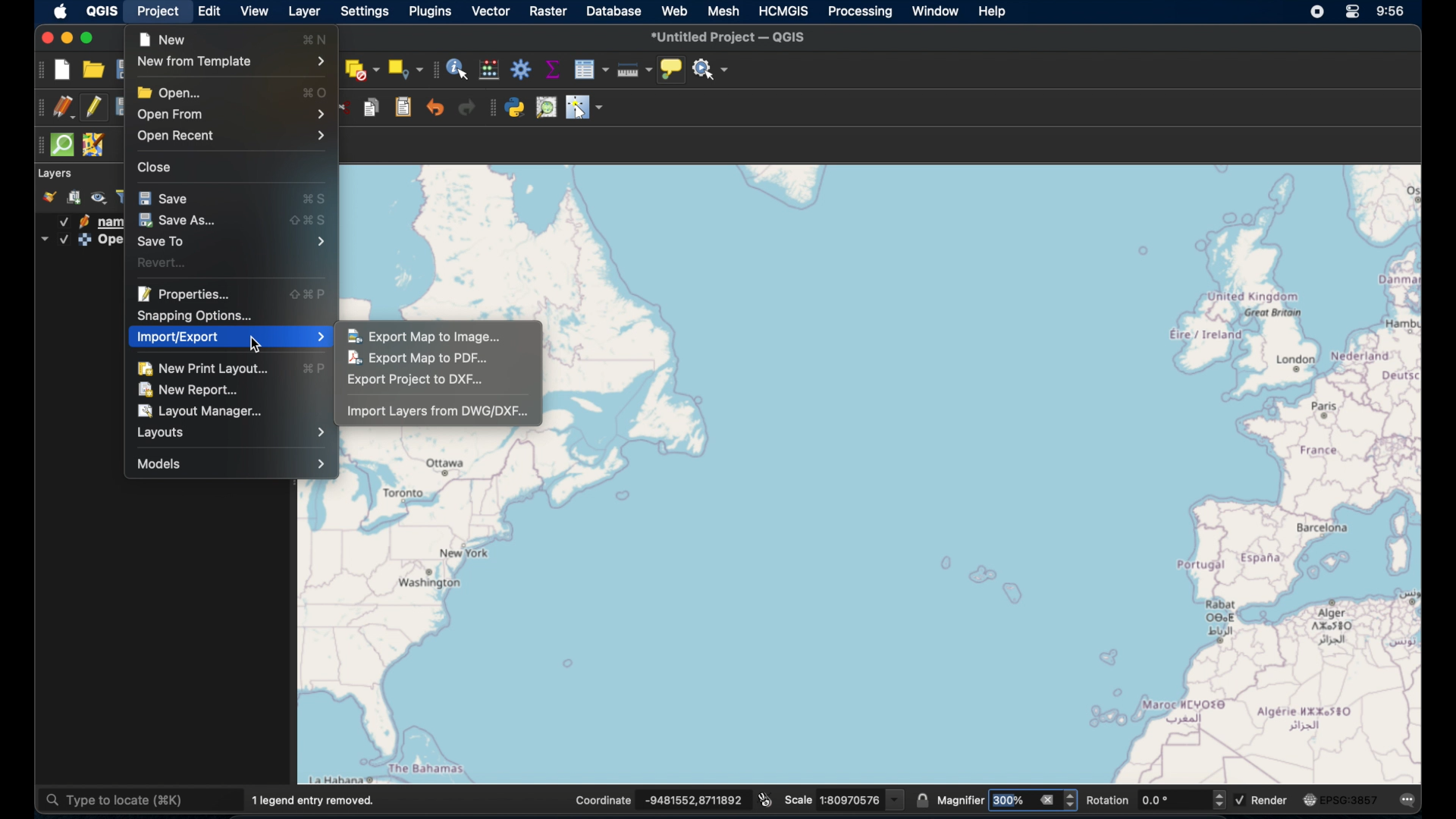  I want to click on lock scale, so click(924, 802).